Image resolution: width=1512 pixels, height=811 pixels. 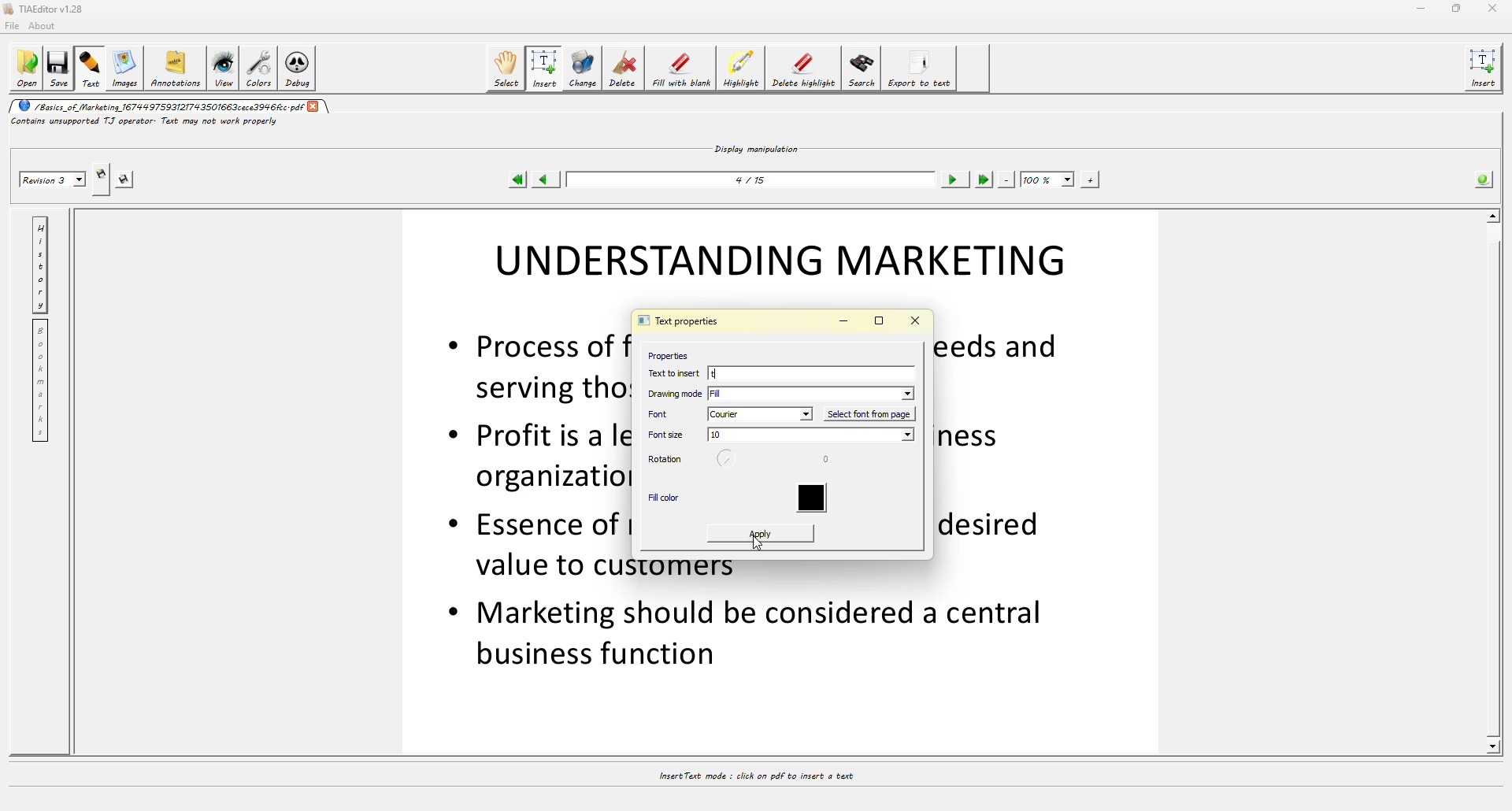 I want to click on fill color, so click(x=665, y=499).